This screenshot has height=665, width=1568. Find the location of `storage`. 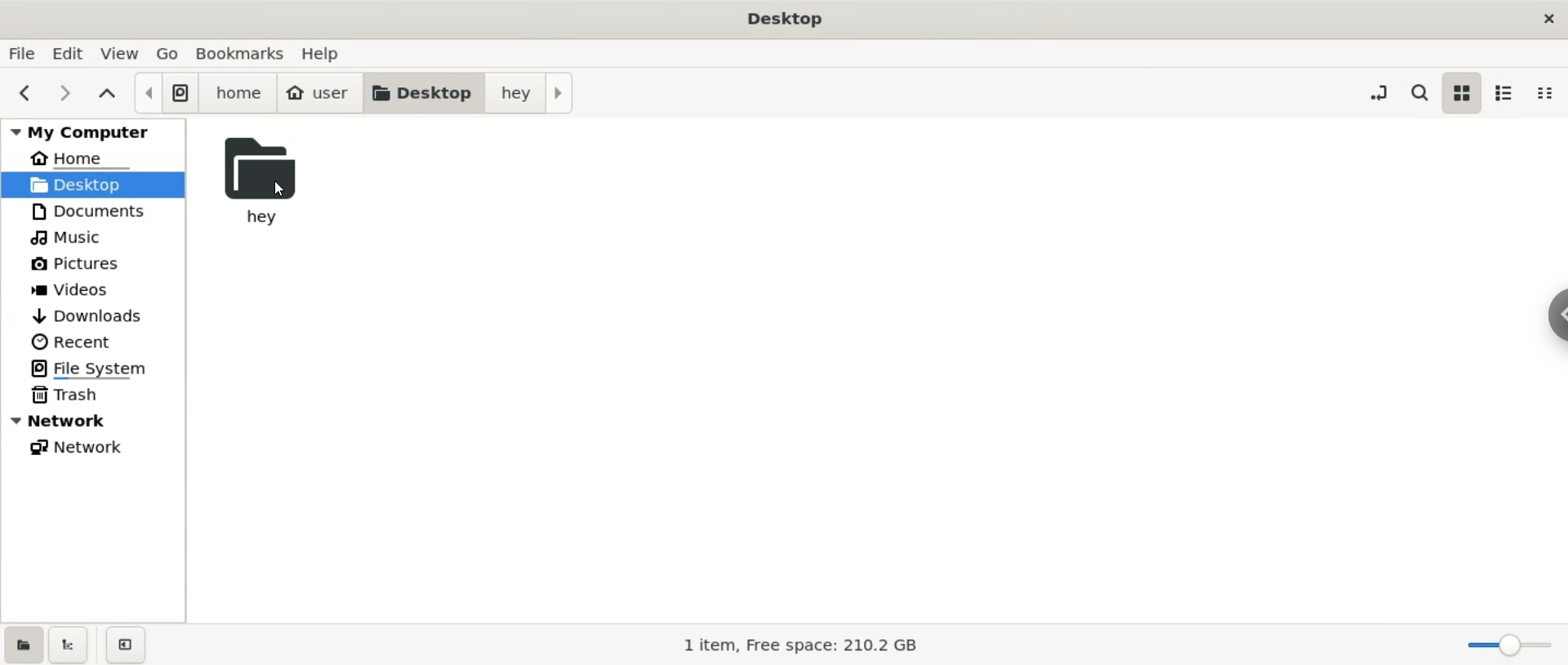

storage is located at coordinates (787, 644).